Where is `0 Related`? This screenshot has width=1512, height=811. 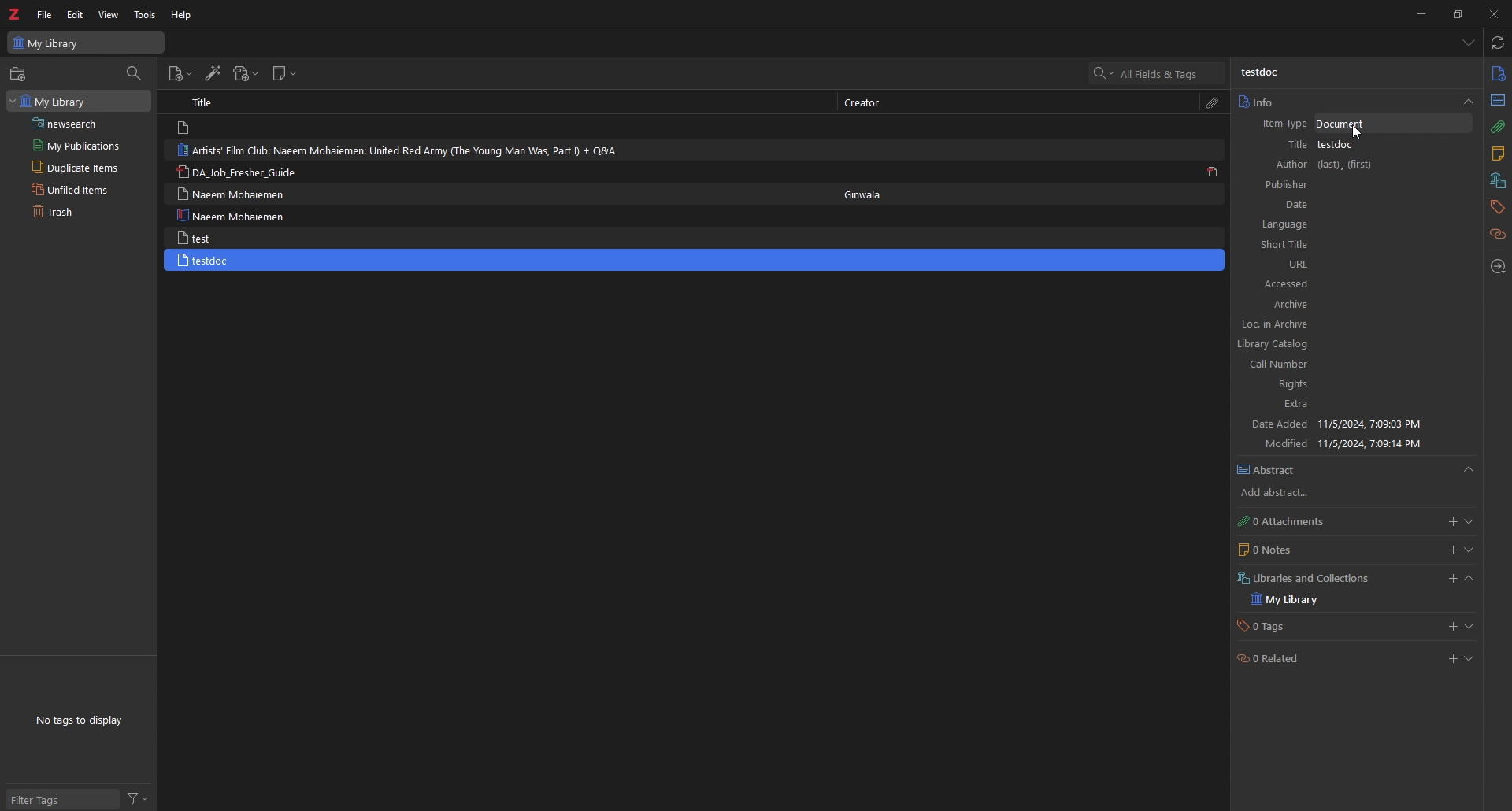 0 Related is located at coordinates (1284, 657).